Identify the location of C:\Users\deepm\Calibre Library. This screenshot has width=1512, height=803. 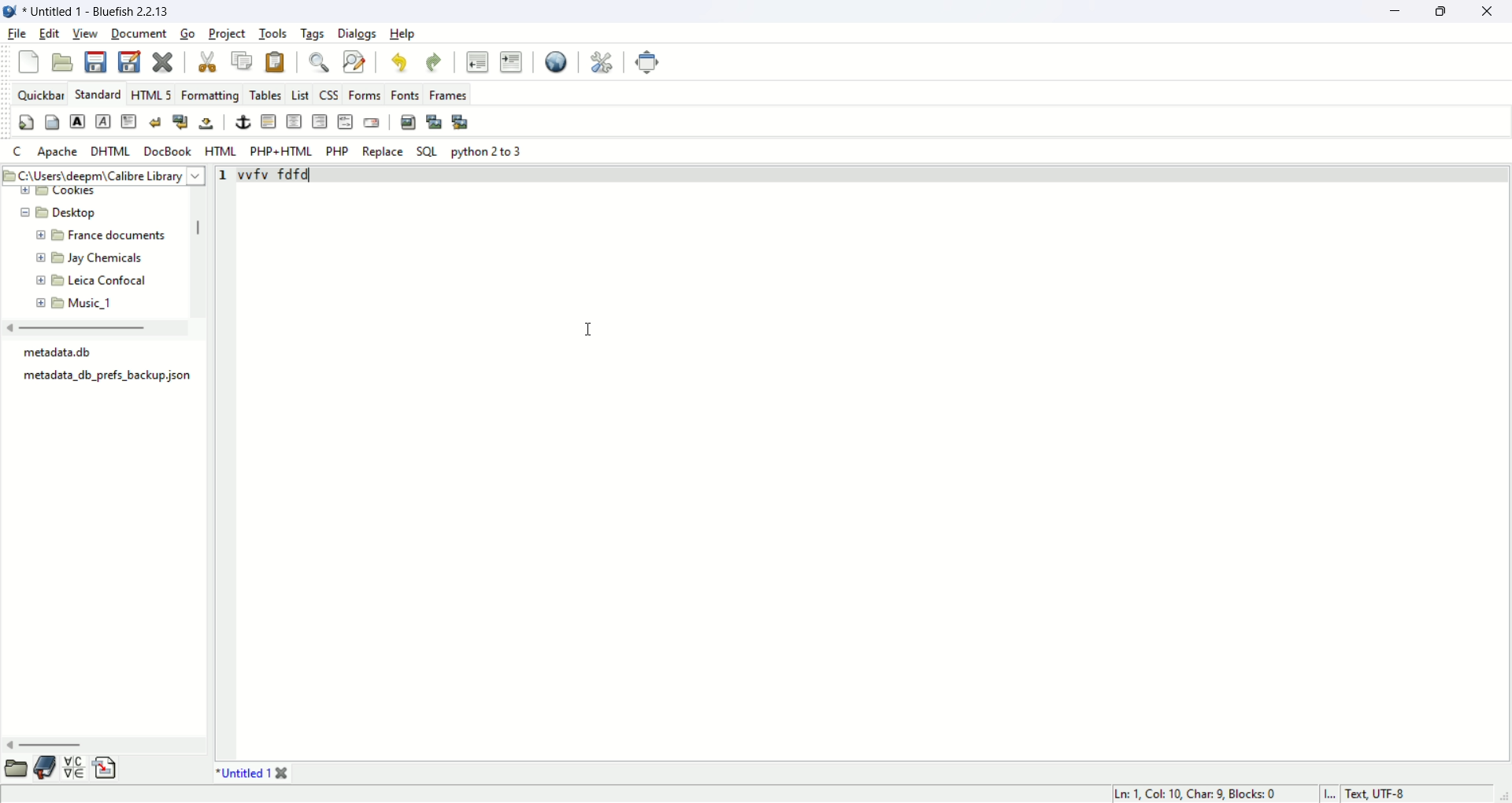
(100, 176).